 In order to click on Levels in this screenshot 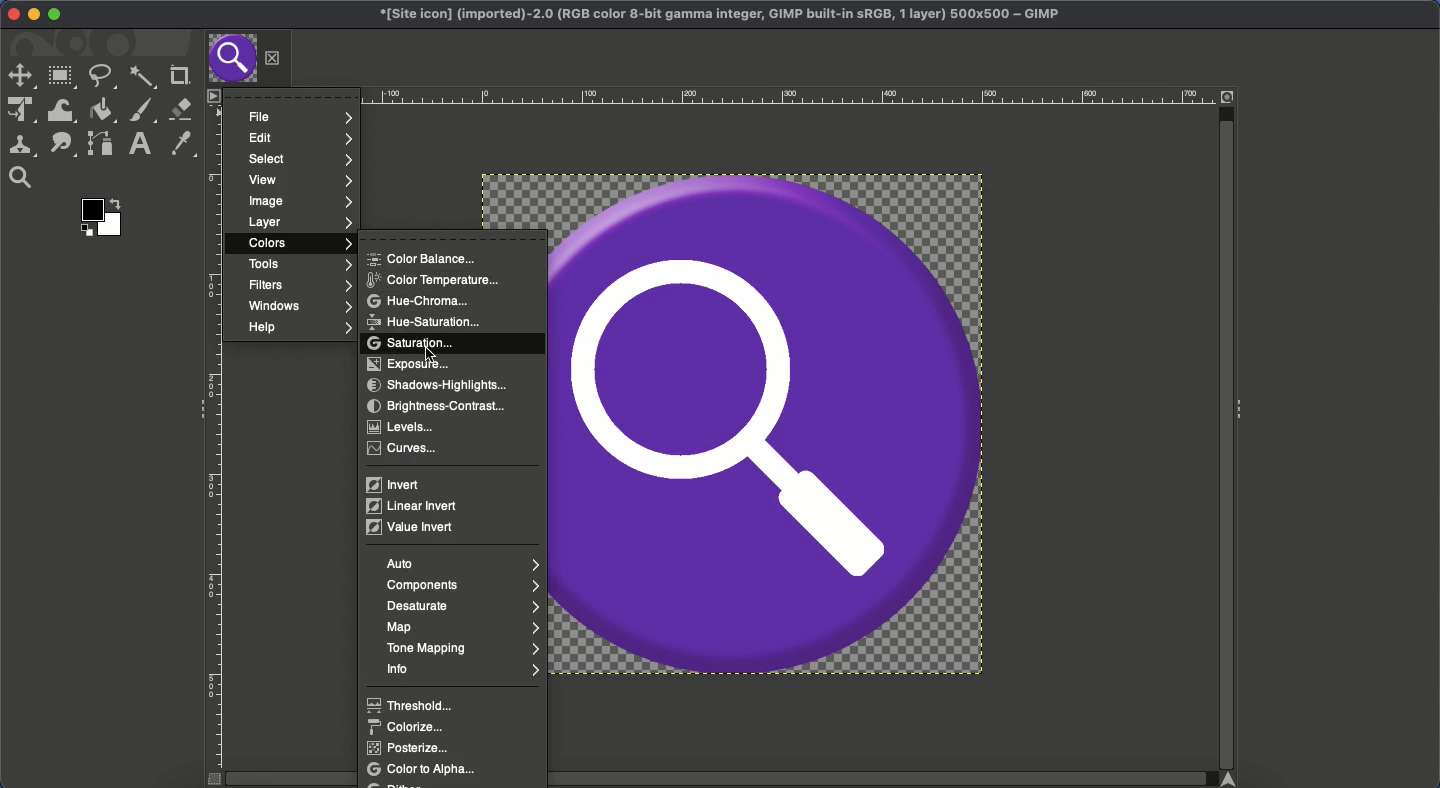, I will do `click(402, 426)`.